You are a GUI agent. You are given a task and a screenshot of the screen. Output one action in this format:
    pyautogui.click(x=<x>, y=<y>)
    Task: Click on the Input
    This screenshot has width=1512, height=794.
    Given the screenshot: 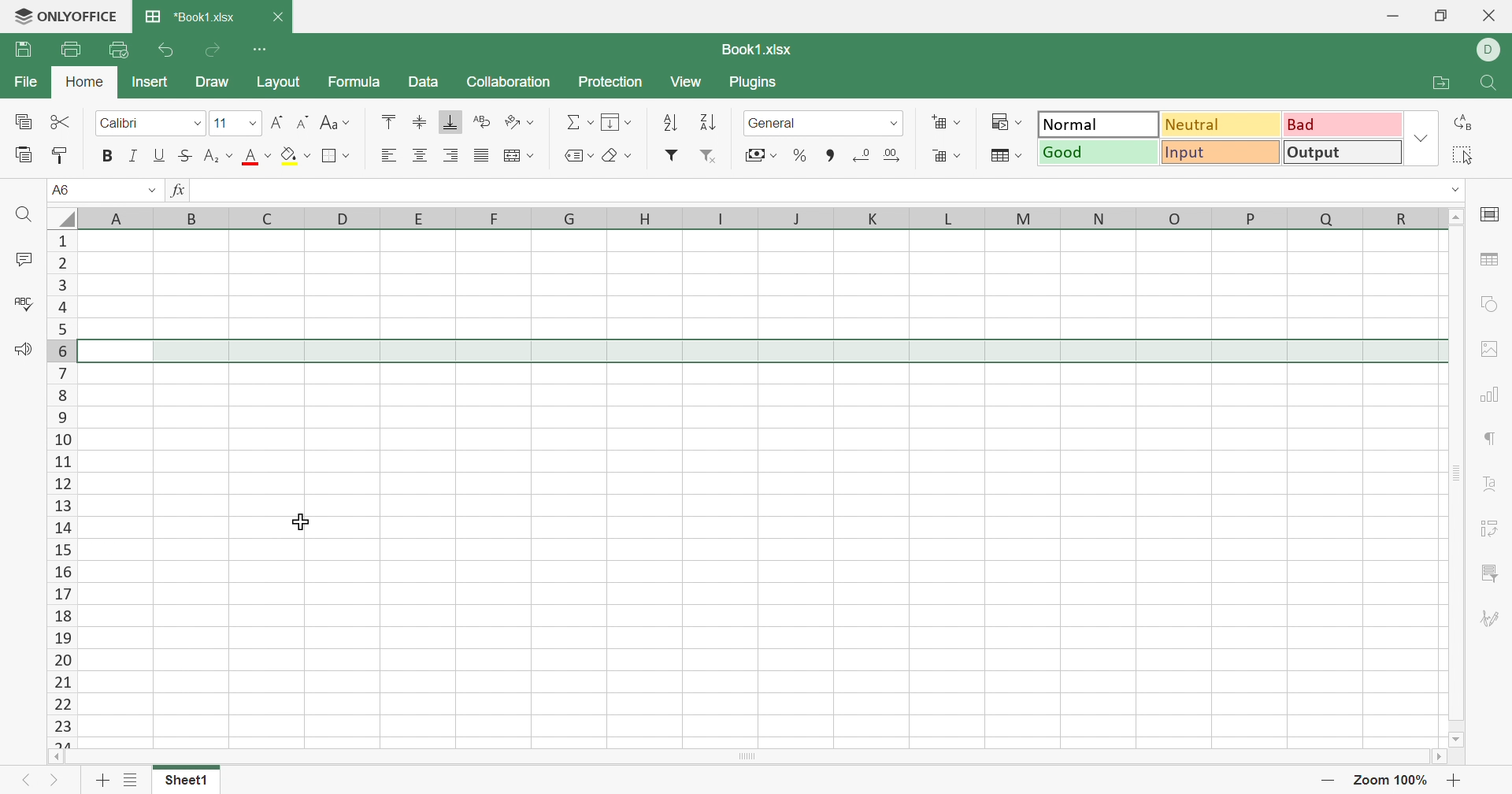 What is the action you would take?
    pyautogui.click(x=1221, y=152)
    